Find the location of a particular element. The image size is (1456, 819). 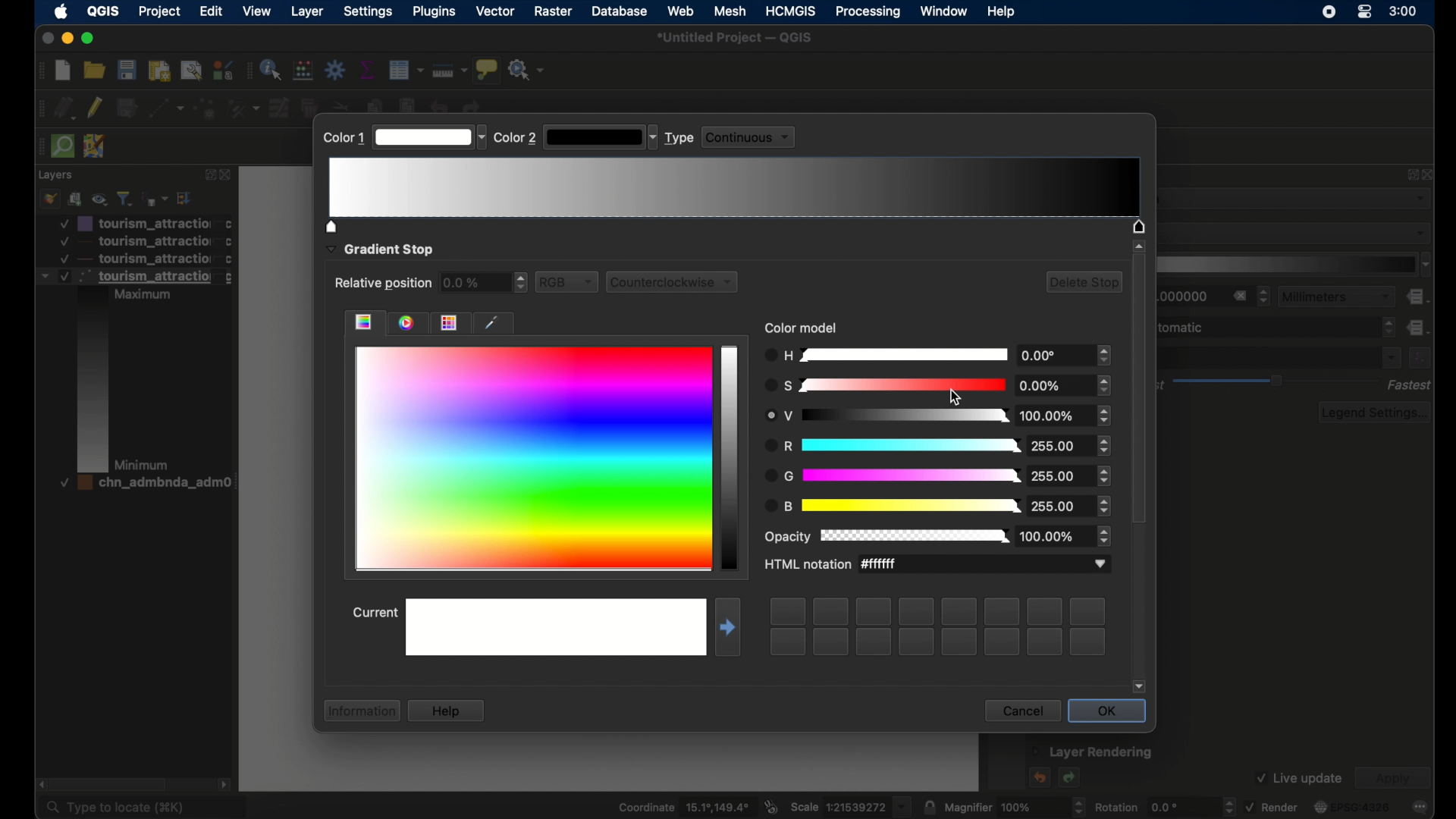

dropdown menu is located at coordinates (429, 136).